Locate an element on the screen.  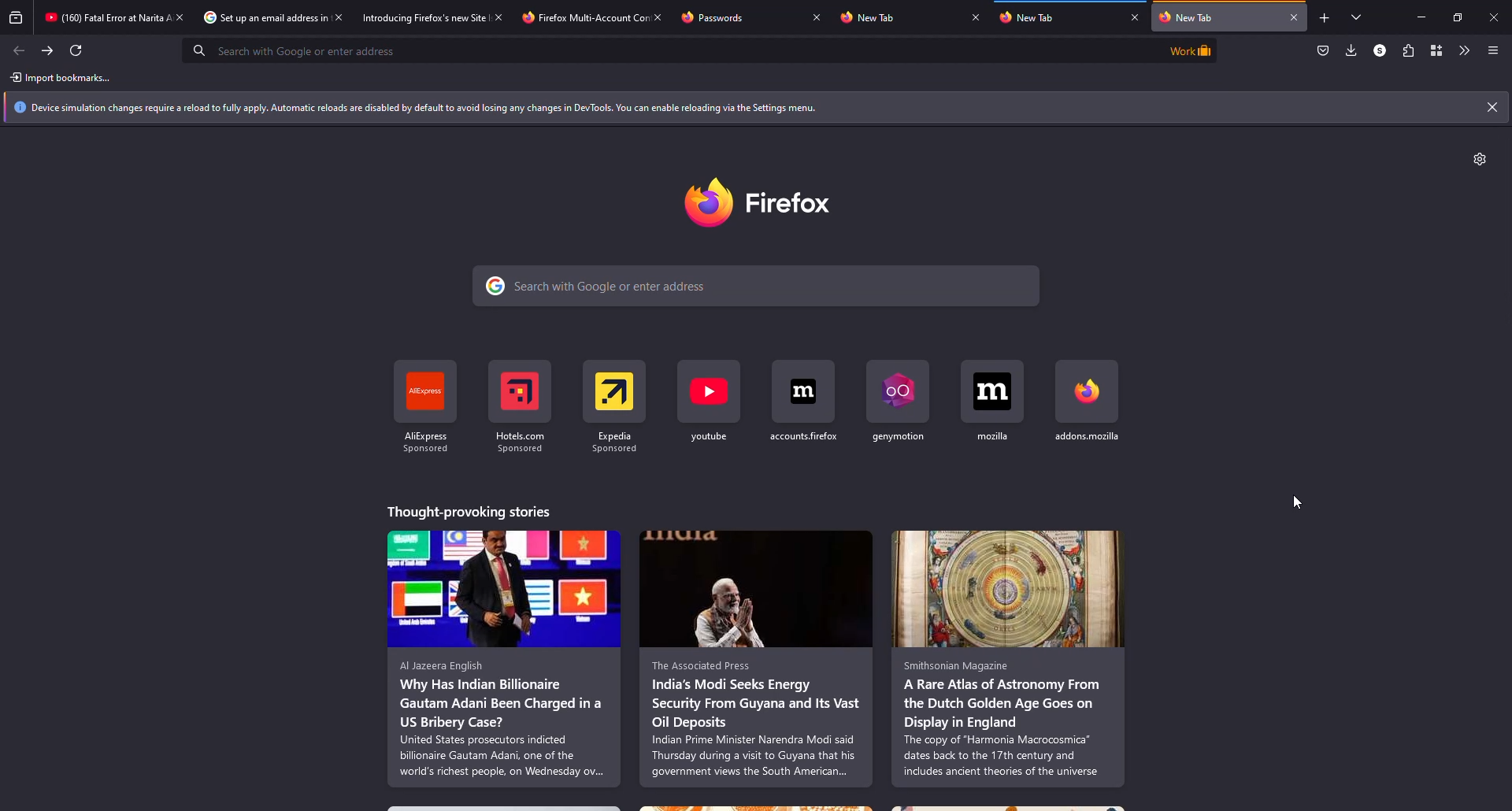
Firefox name and logo is located at coordinates (758, 202).